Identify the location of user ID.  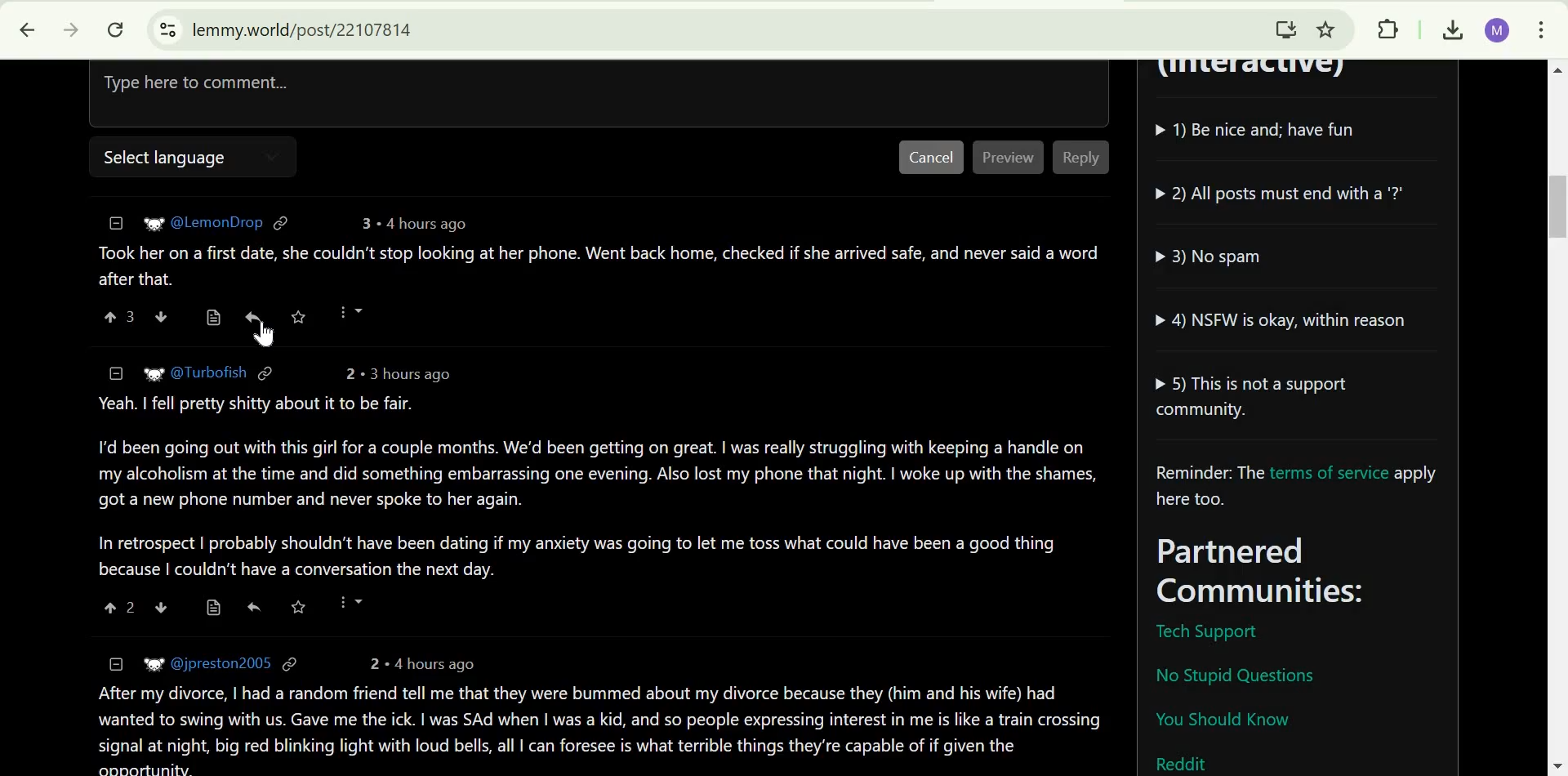
(216, 221).